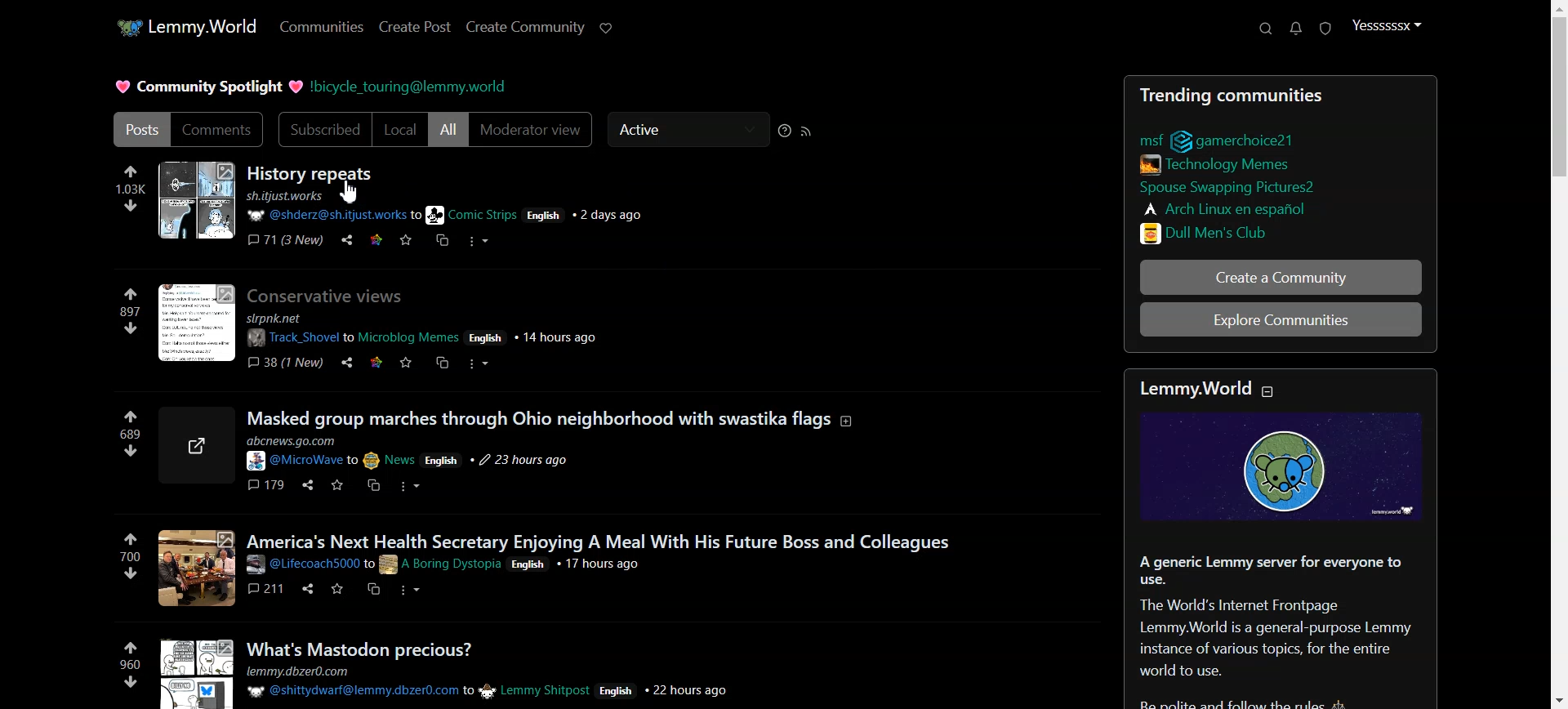 Image resolution: width=1568 pixels, height=709 pixels. What do you see at coordinates (1279, 277) in the screenshot?
I see `Create a Community` at bounding box center [1279, 277].